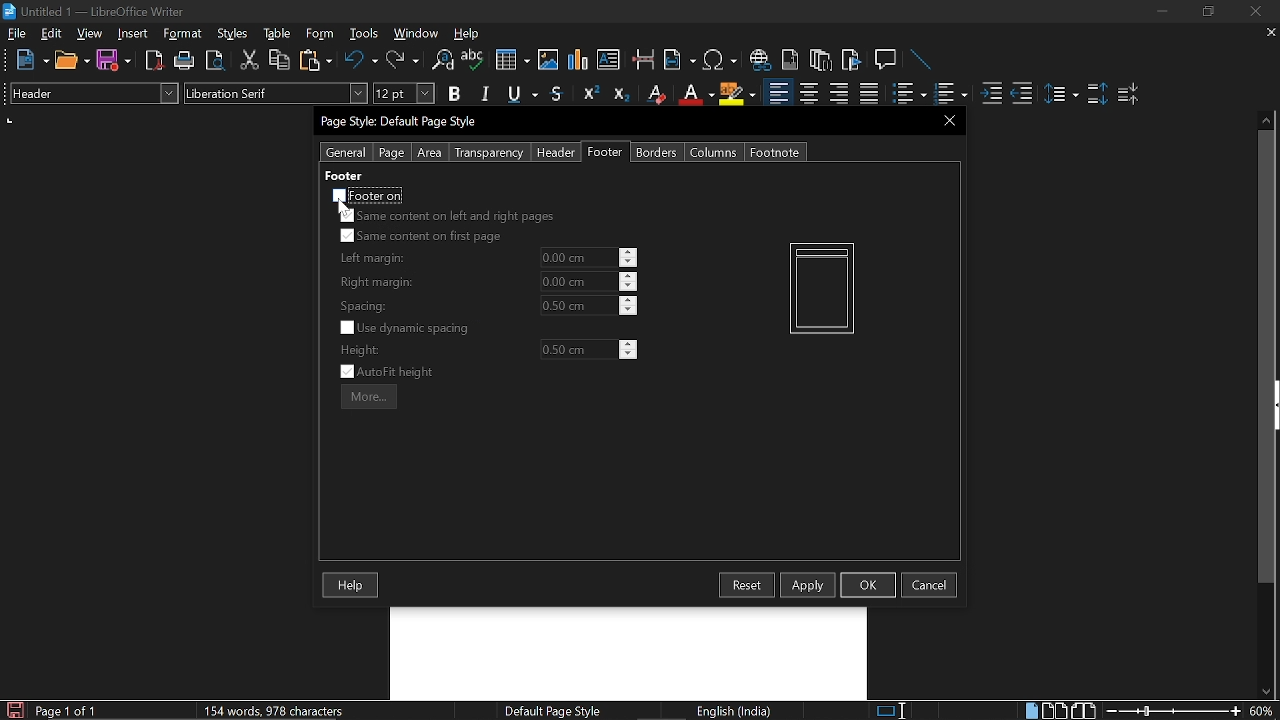  I want to click on Text size, so click(403, 93).